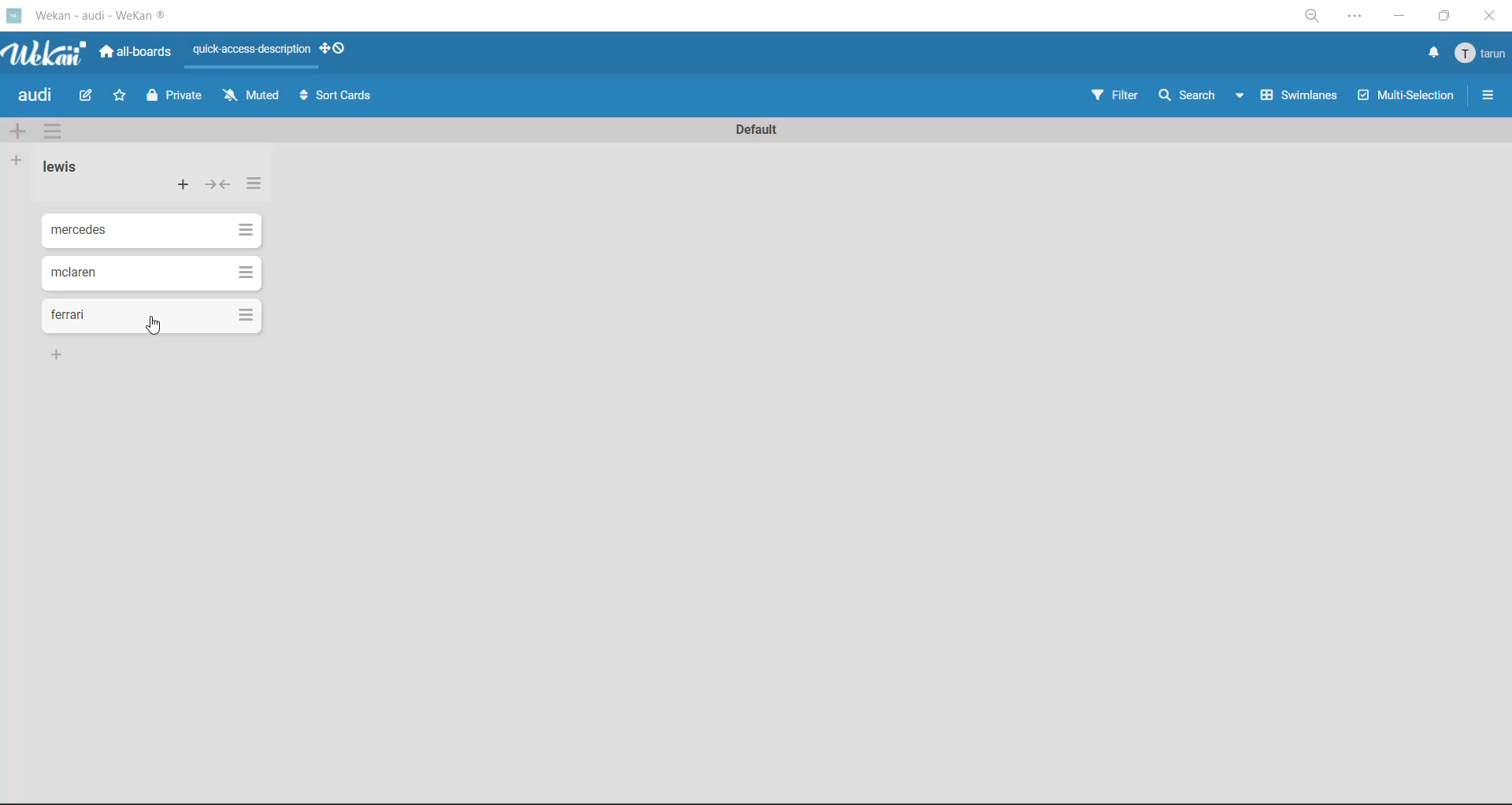 The height and width of the screenshot is (805, 1512). I want to click on app logo, so click(53, 54).